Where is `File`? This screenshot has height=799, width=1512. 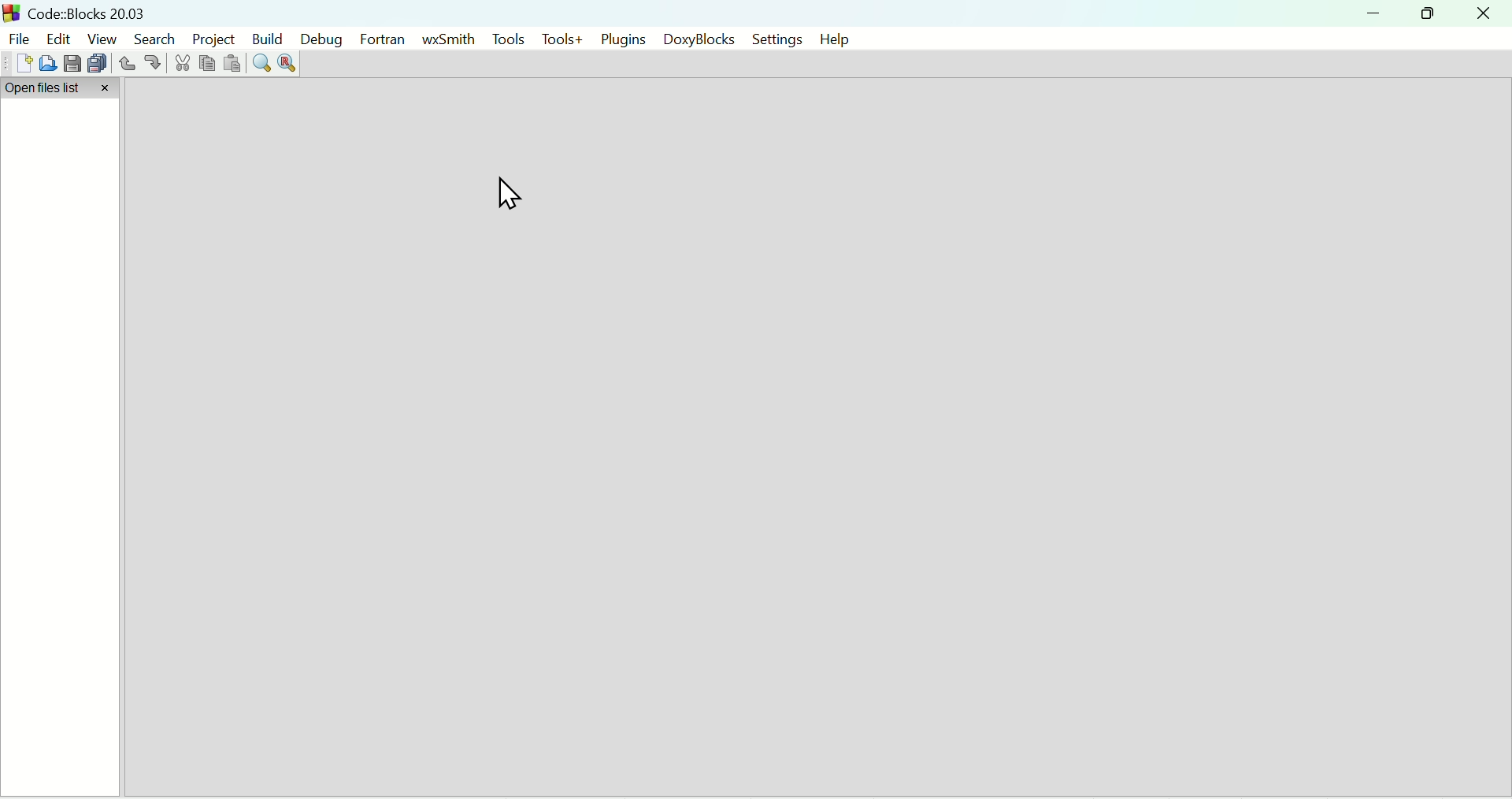 File is located at coordinates (17, 36).